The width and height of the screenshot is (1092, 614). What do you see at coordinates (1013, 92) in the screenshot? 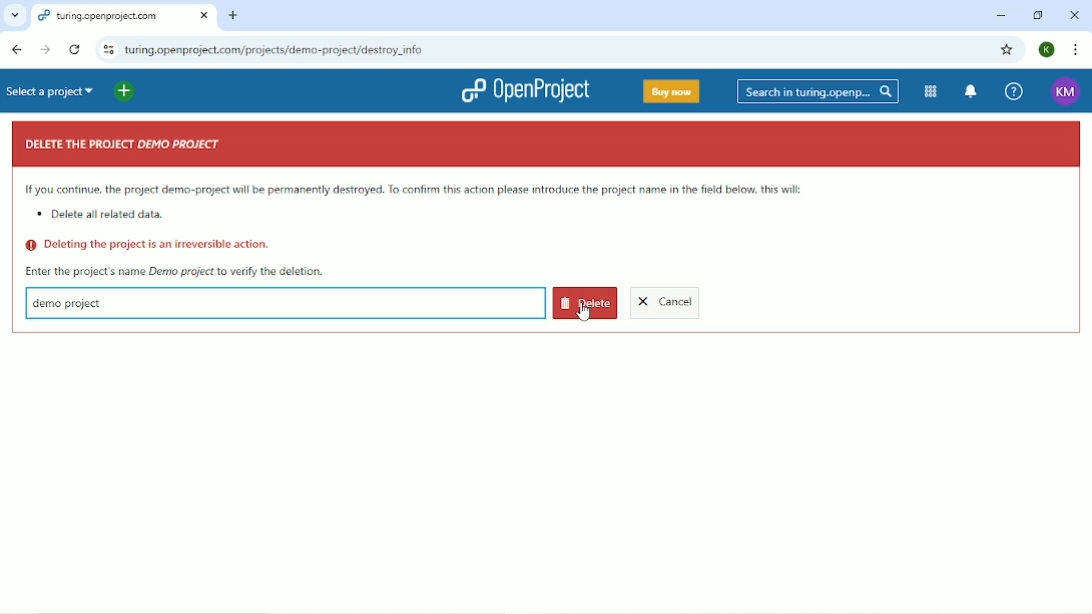
I see `Help` at bounding box center [1013, 92].